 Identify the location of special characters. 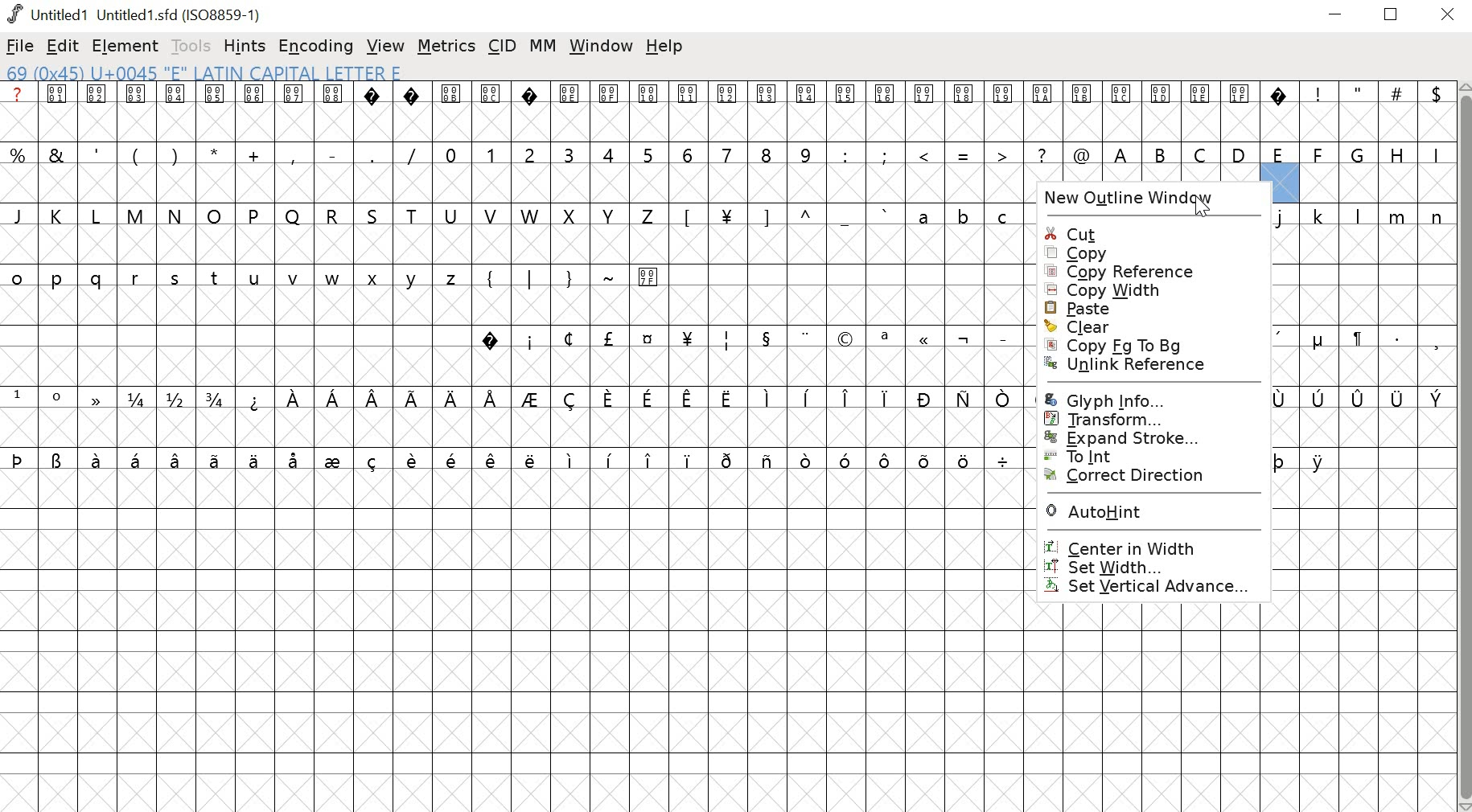
(1303, 462).